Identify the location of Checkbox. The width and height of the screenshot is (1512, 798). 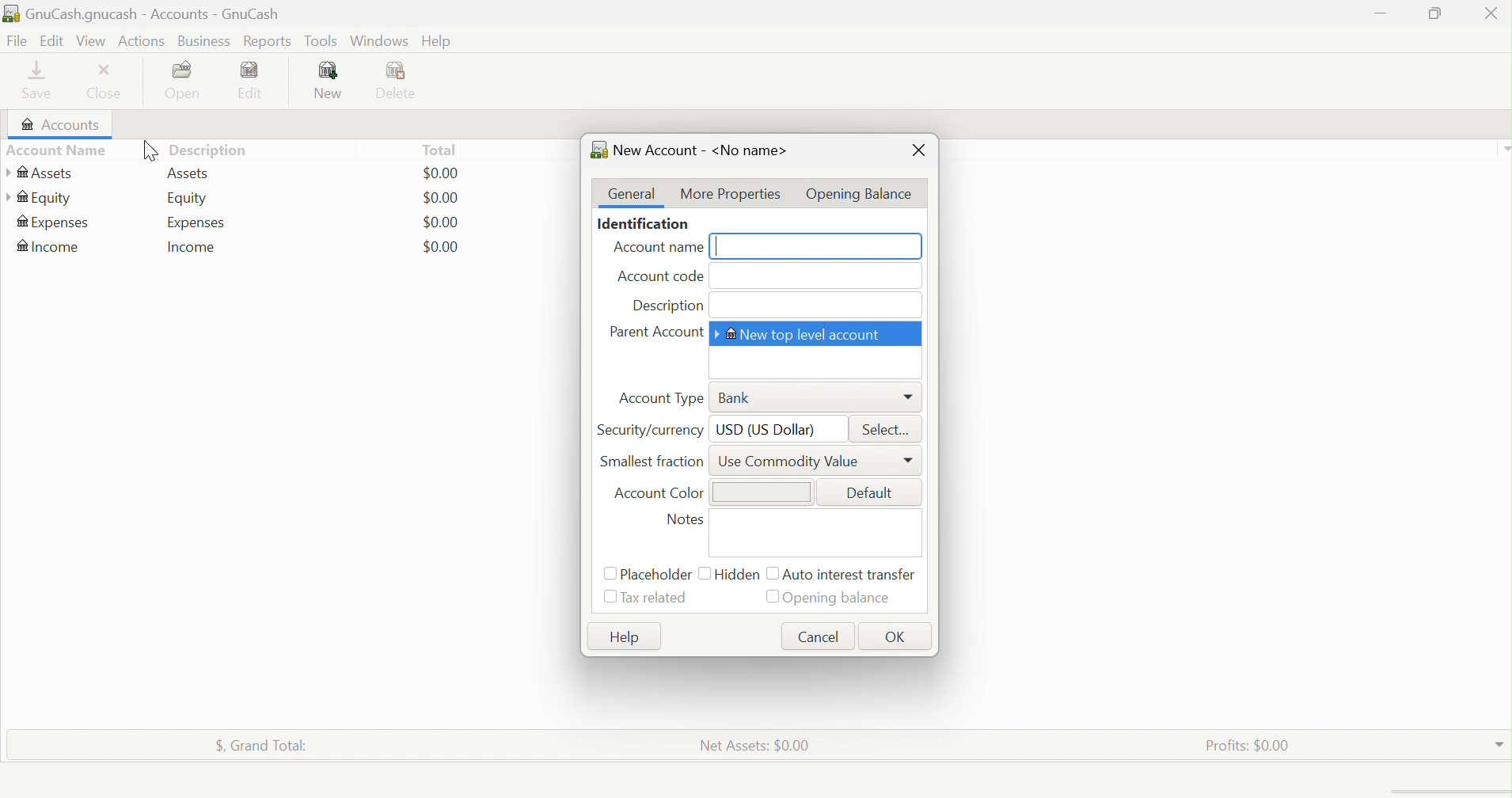
(610, 598).